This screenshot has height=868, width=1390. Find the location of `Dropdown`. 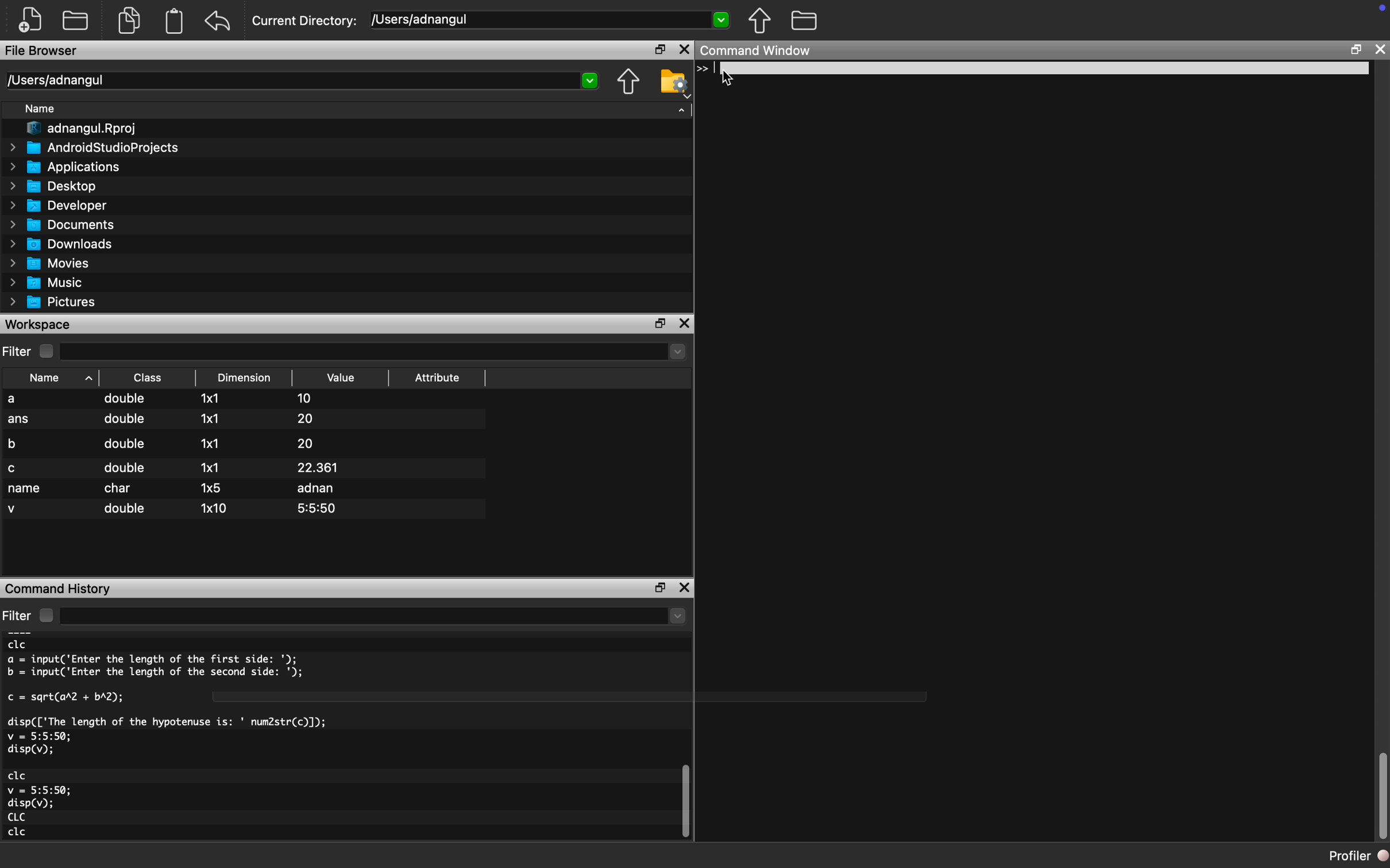

Dropdown is located at coordinates (677, 353).